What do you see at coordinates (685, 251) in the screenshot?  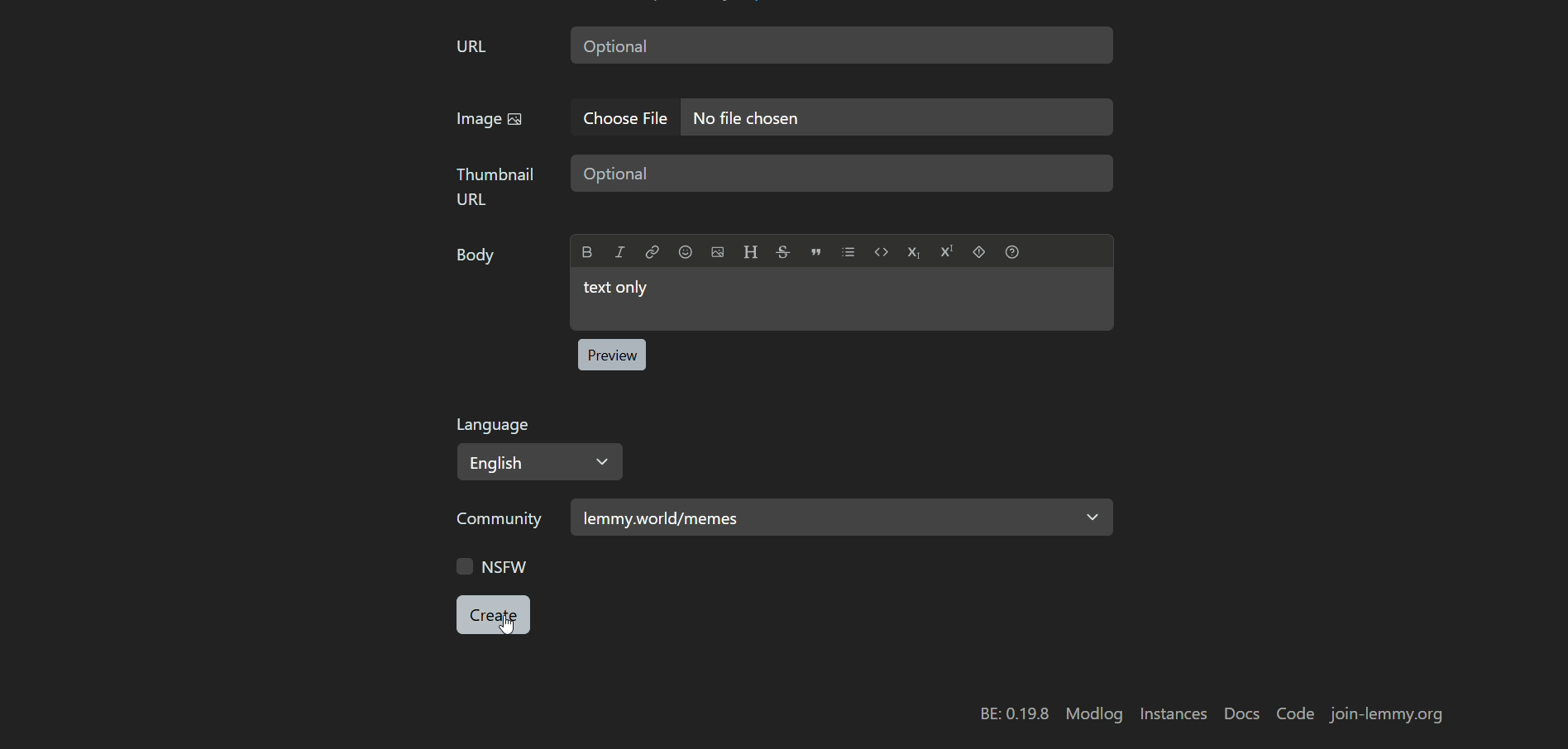 I see `Emoji` at bounding box center [685, 251].